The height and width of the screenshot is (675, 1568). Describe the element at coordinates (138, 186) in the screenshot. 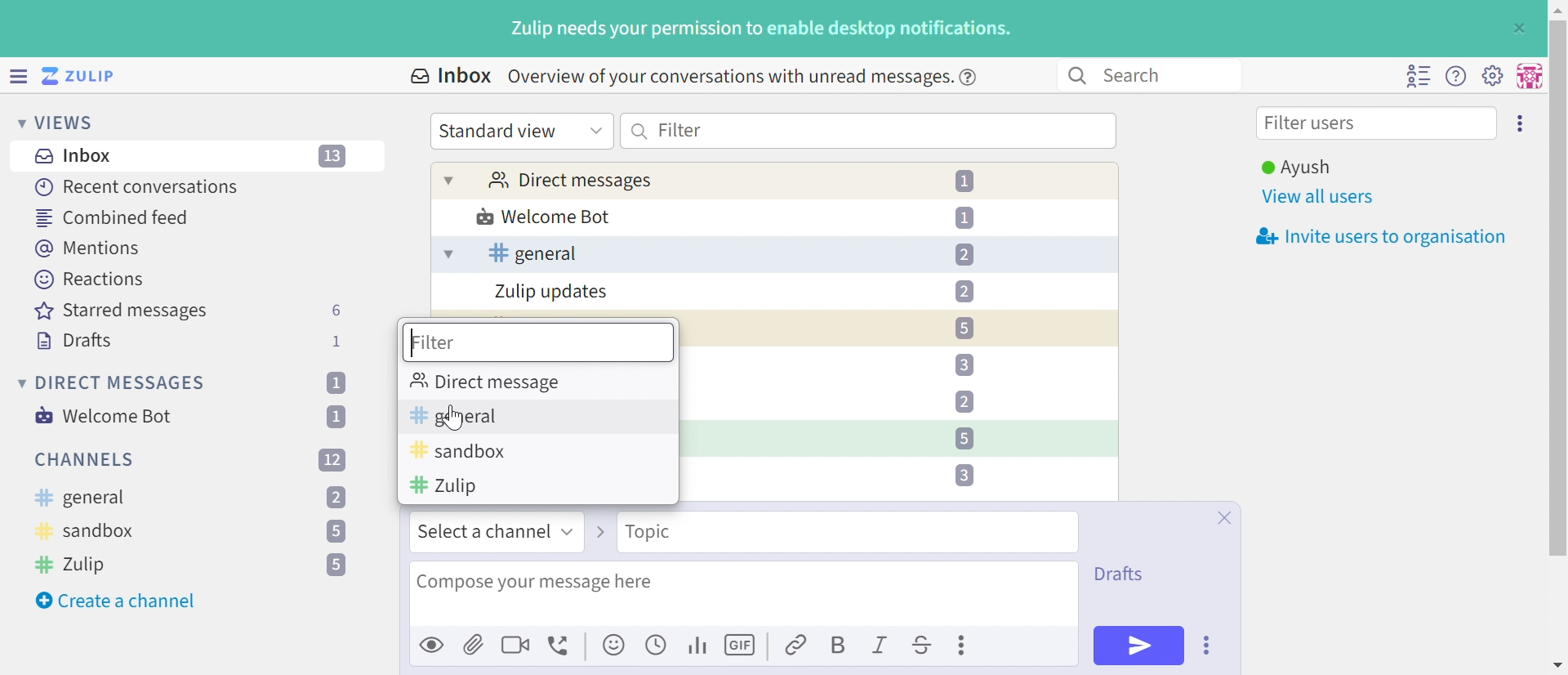

I see `Recent conversations` at that location.